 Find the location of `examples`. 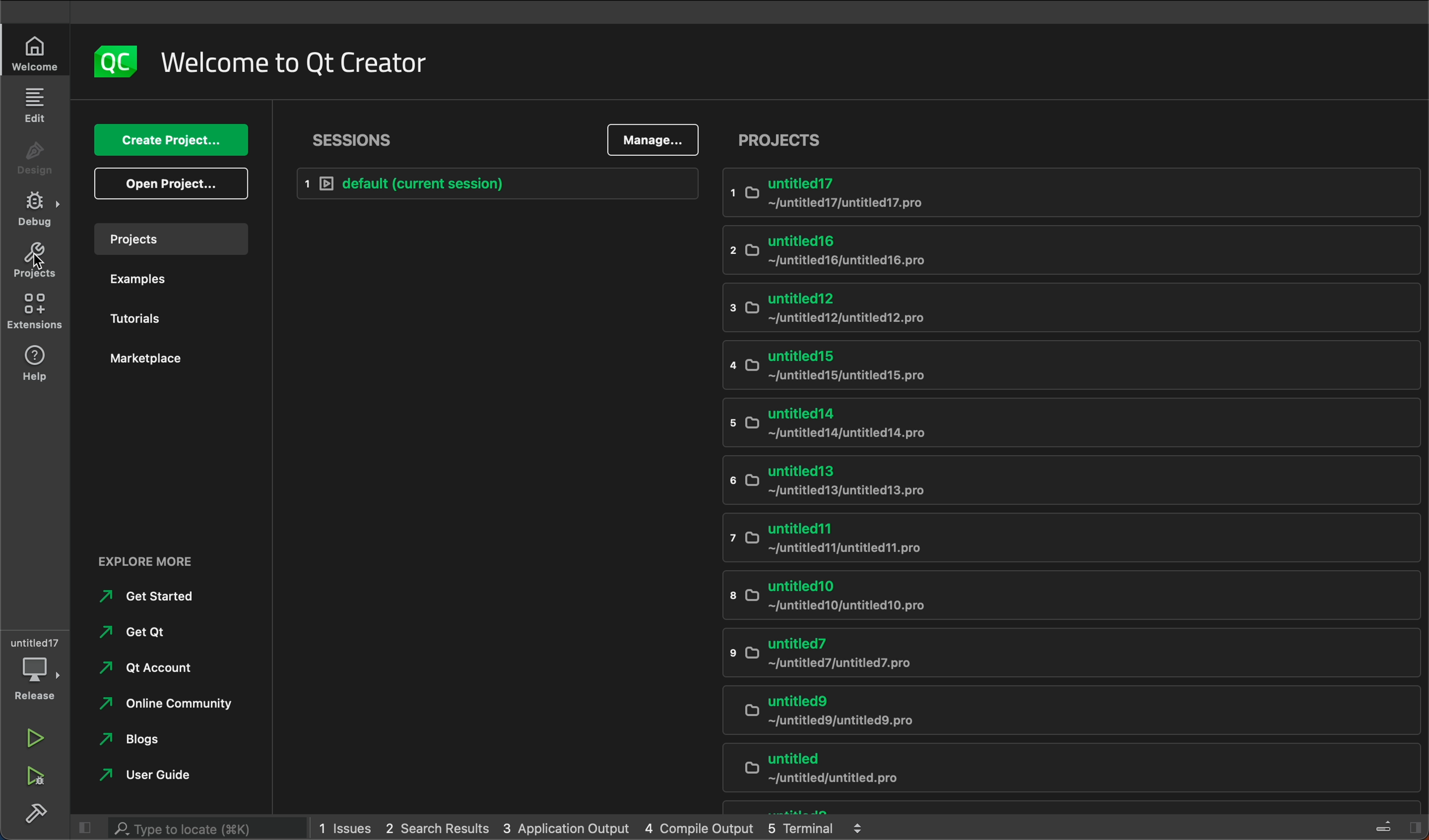

examples is located at coordinates (169, 279).